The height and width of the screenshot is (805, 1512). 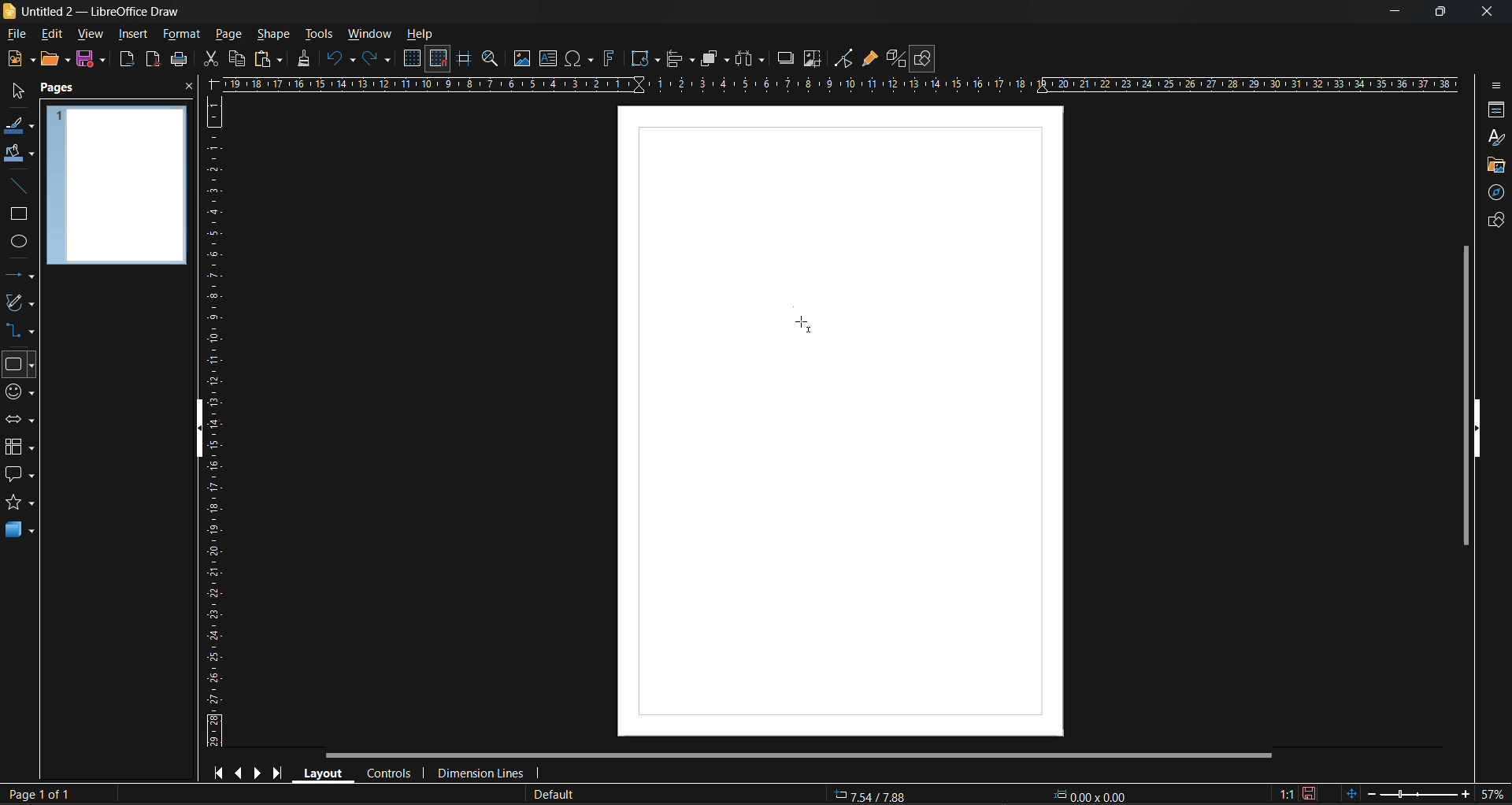 What do you see at coordinates (189, 87) in the screenshot?
I see `close` at bounding box center [189, 87].